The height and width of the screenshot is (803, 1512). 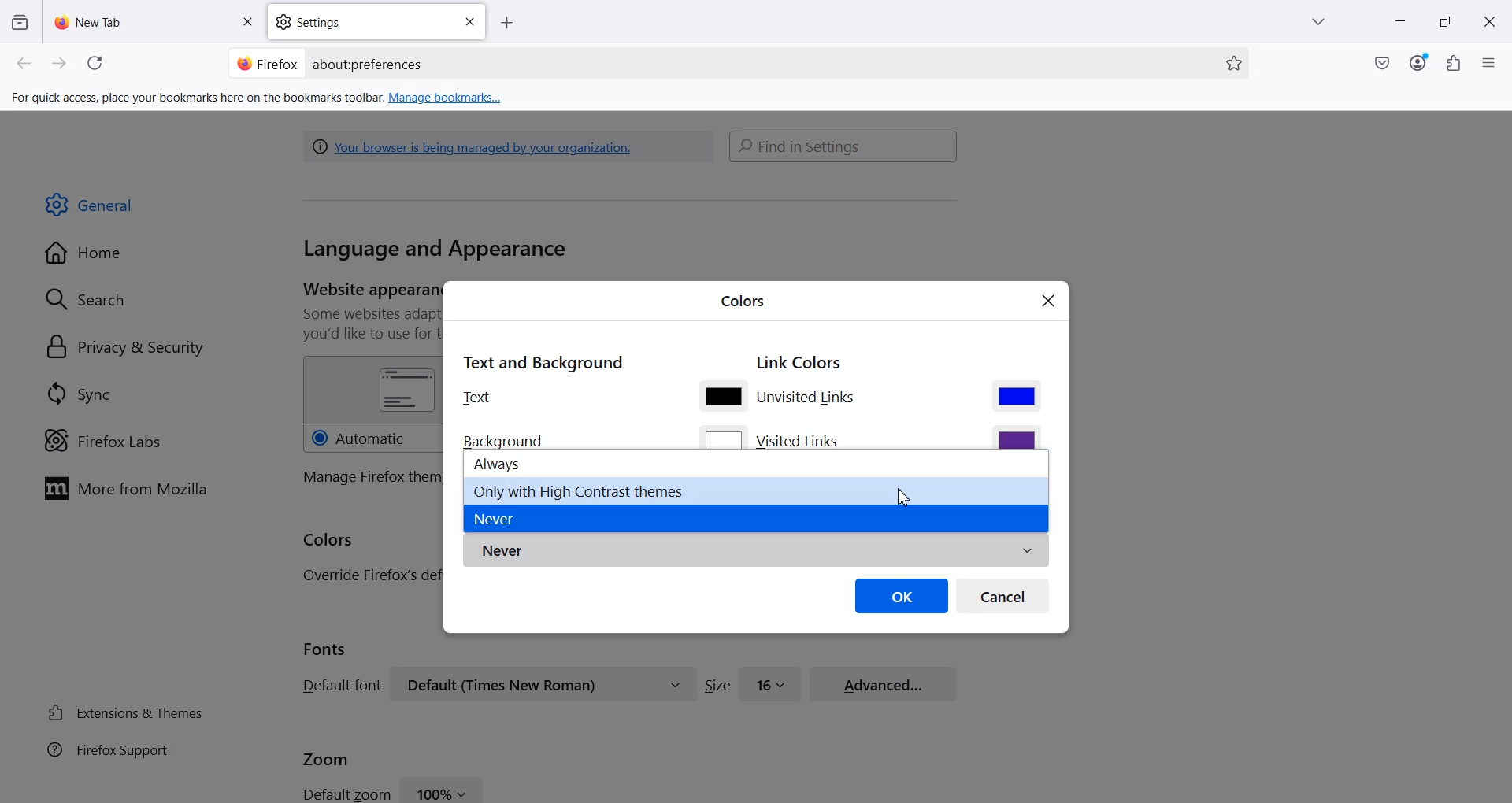 I want to click on Close, so click(x=1049, y=302).